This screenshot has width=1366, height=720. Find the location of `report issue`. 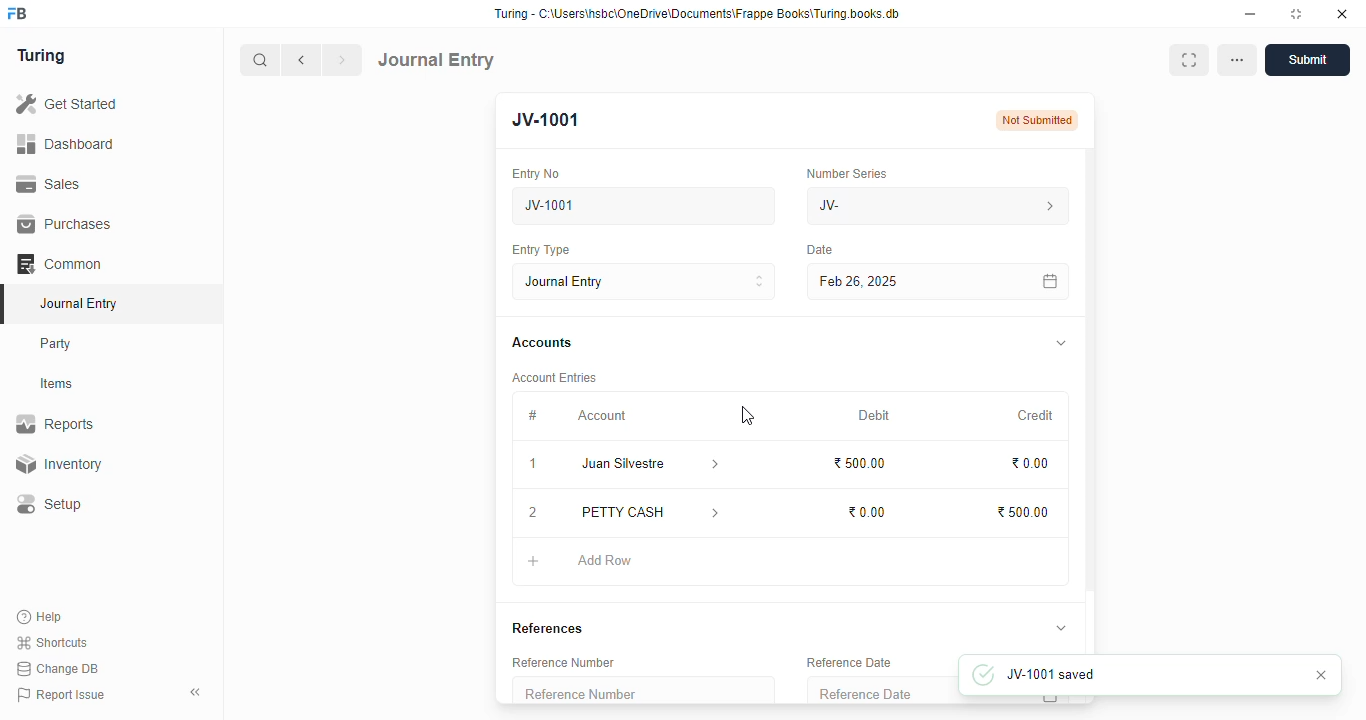

report issue is located at coordinates (61, 695).